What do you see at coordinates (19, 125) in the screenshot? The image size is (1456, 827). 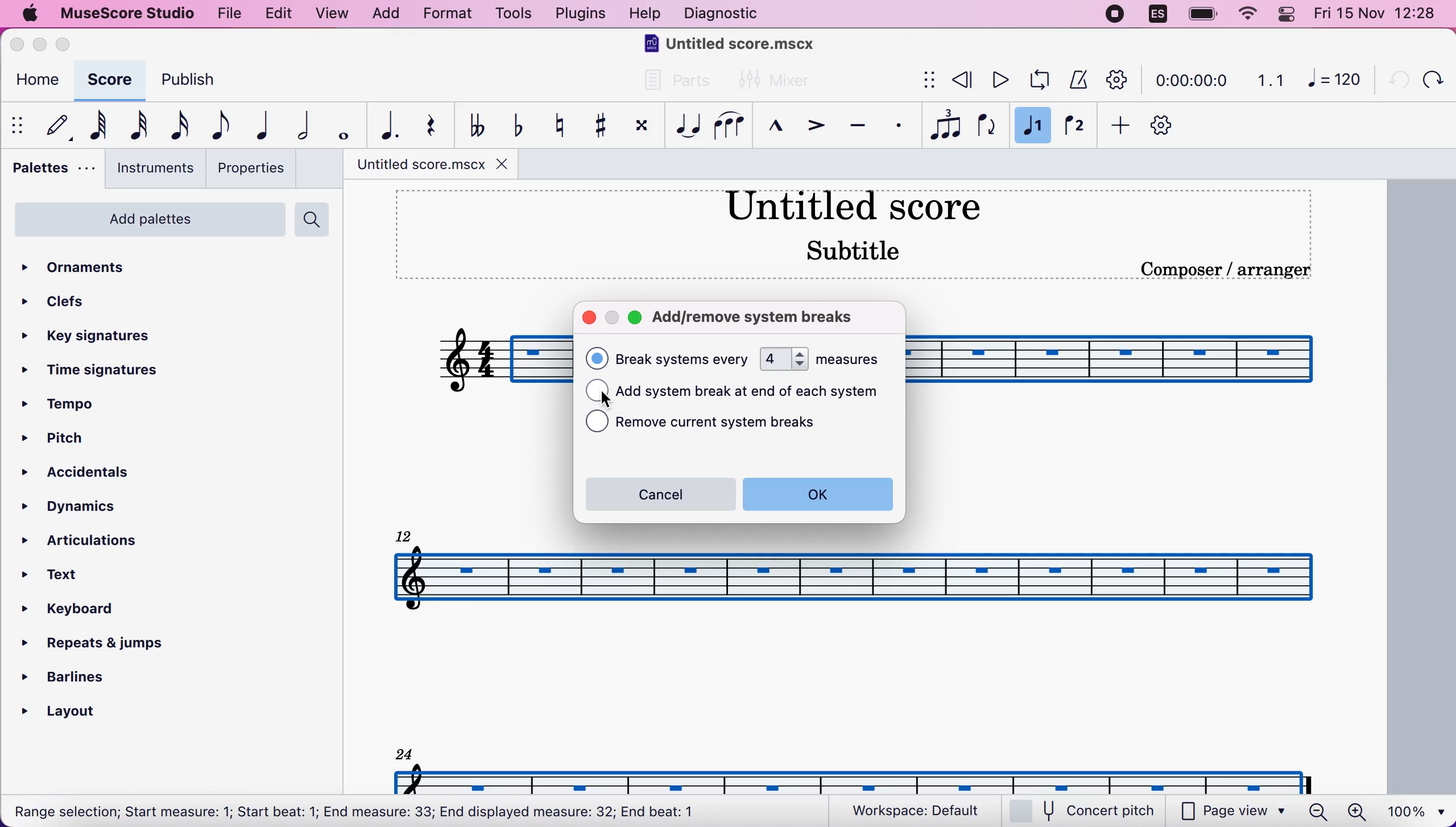 I see `show/hide` at bounding box center [19, 125].